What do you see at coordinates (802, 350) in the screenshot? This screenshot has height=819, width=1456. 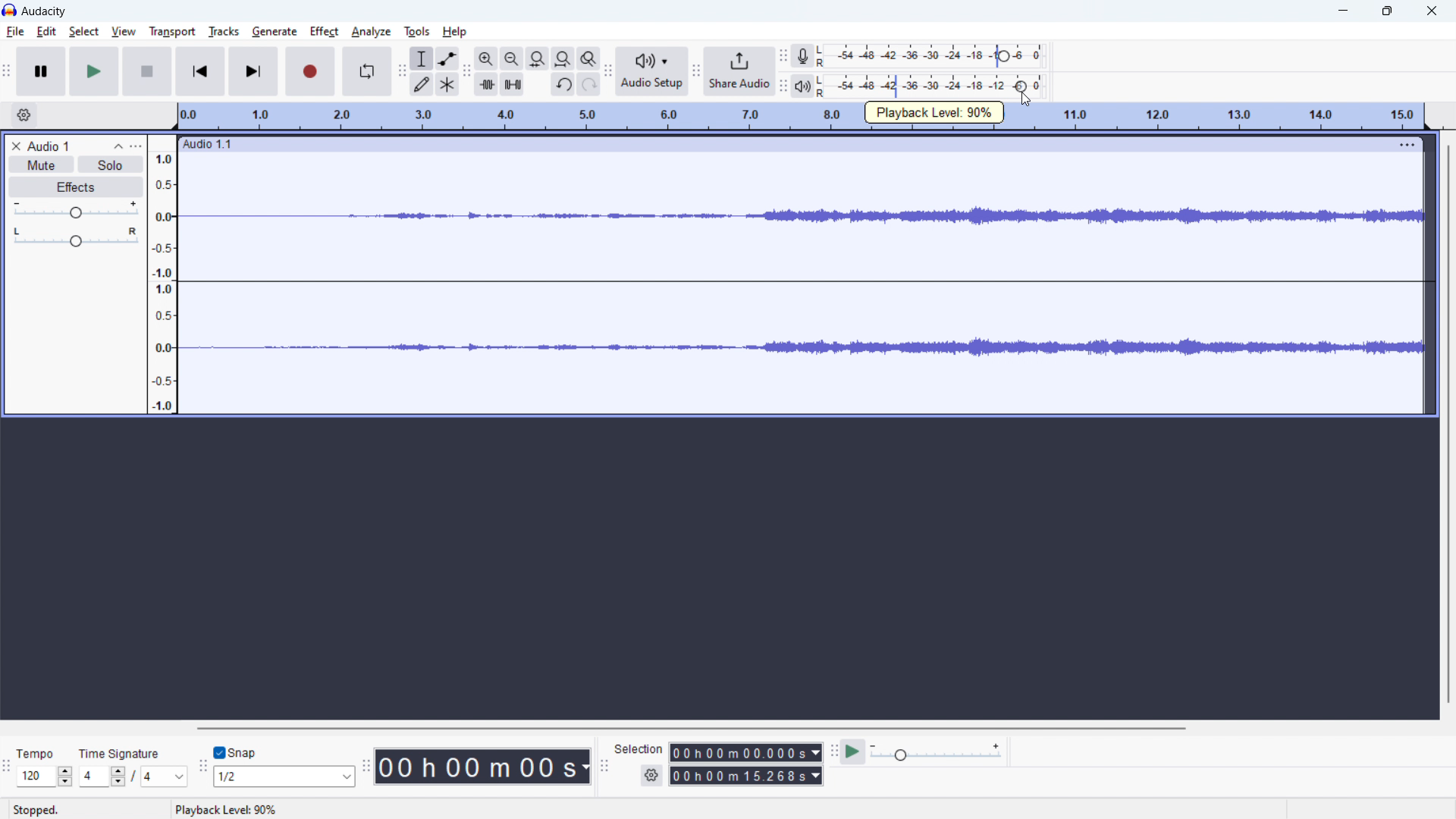 I see `waveform` at bounding box center [802, 350].